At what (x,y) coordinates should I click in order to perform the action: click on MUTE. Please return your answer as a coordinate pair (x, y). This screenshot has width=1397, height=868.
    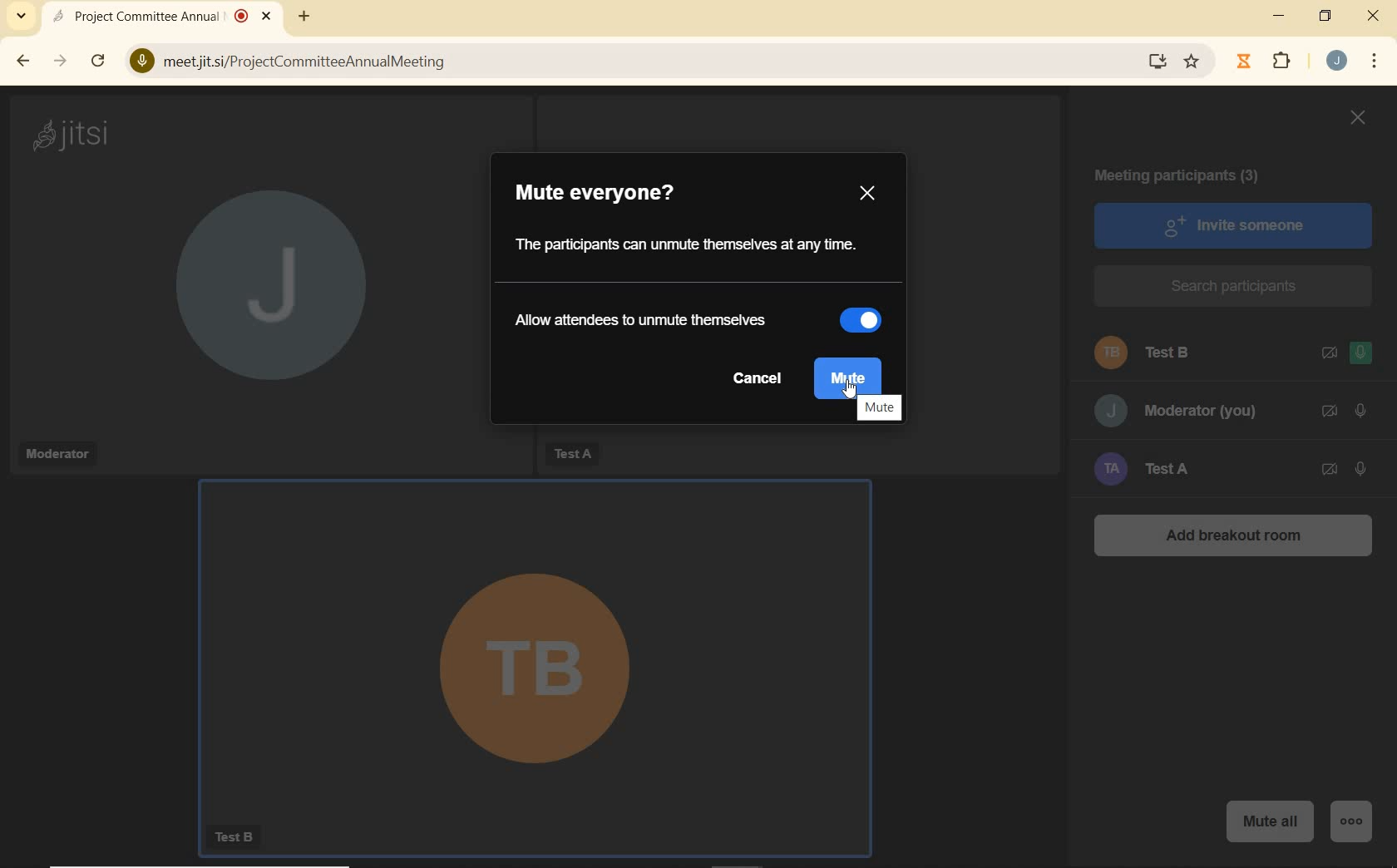
    Looking at the image, I should click on (881, 407).